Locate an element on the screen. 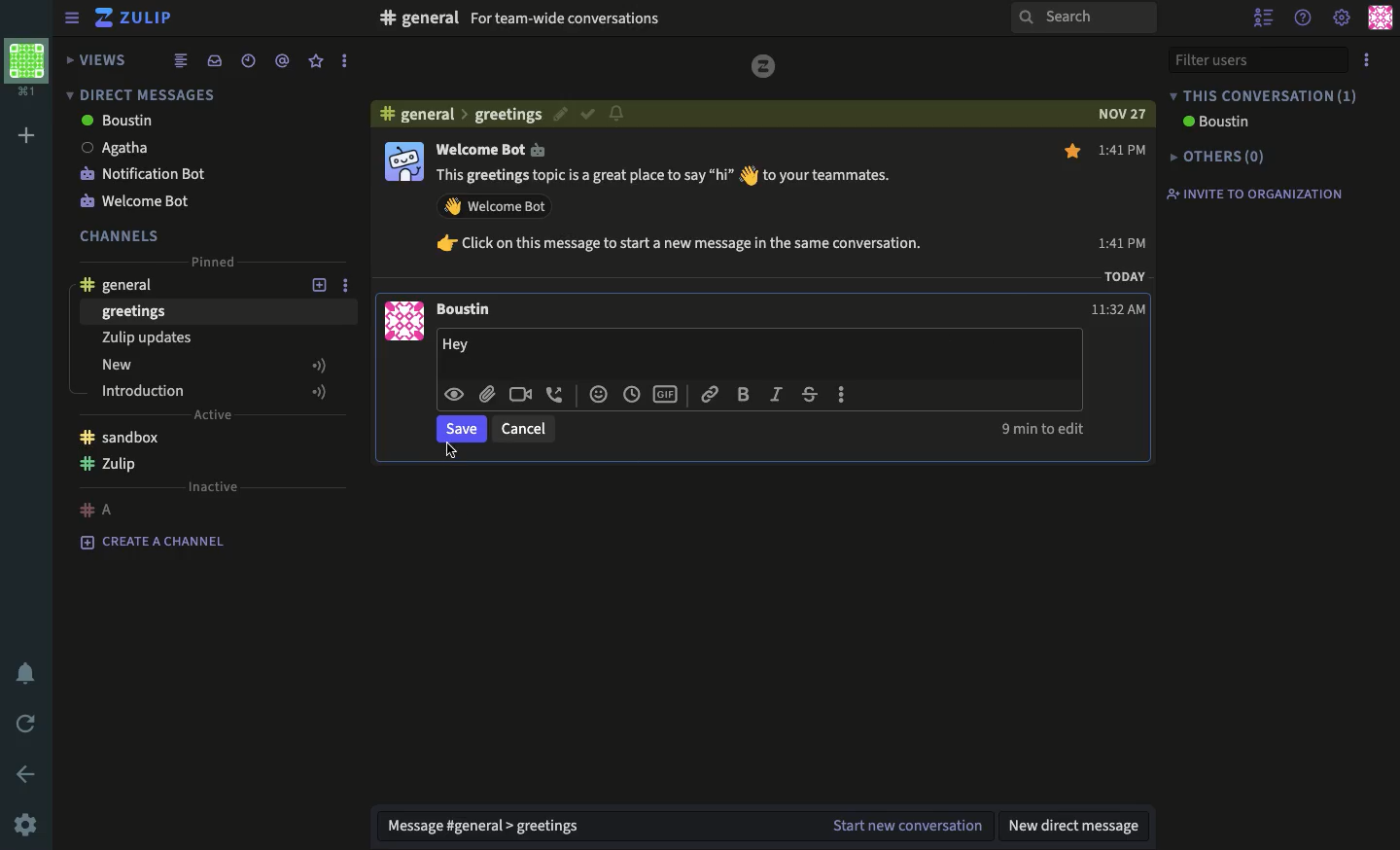 This screenshot has height=850, width=1400. channels is located at coordinates (122, 234).